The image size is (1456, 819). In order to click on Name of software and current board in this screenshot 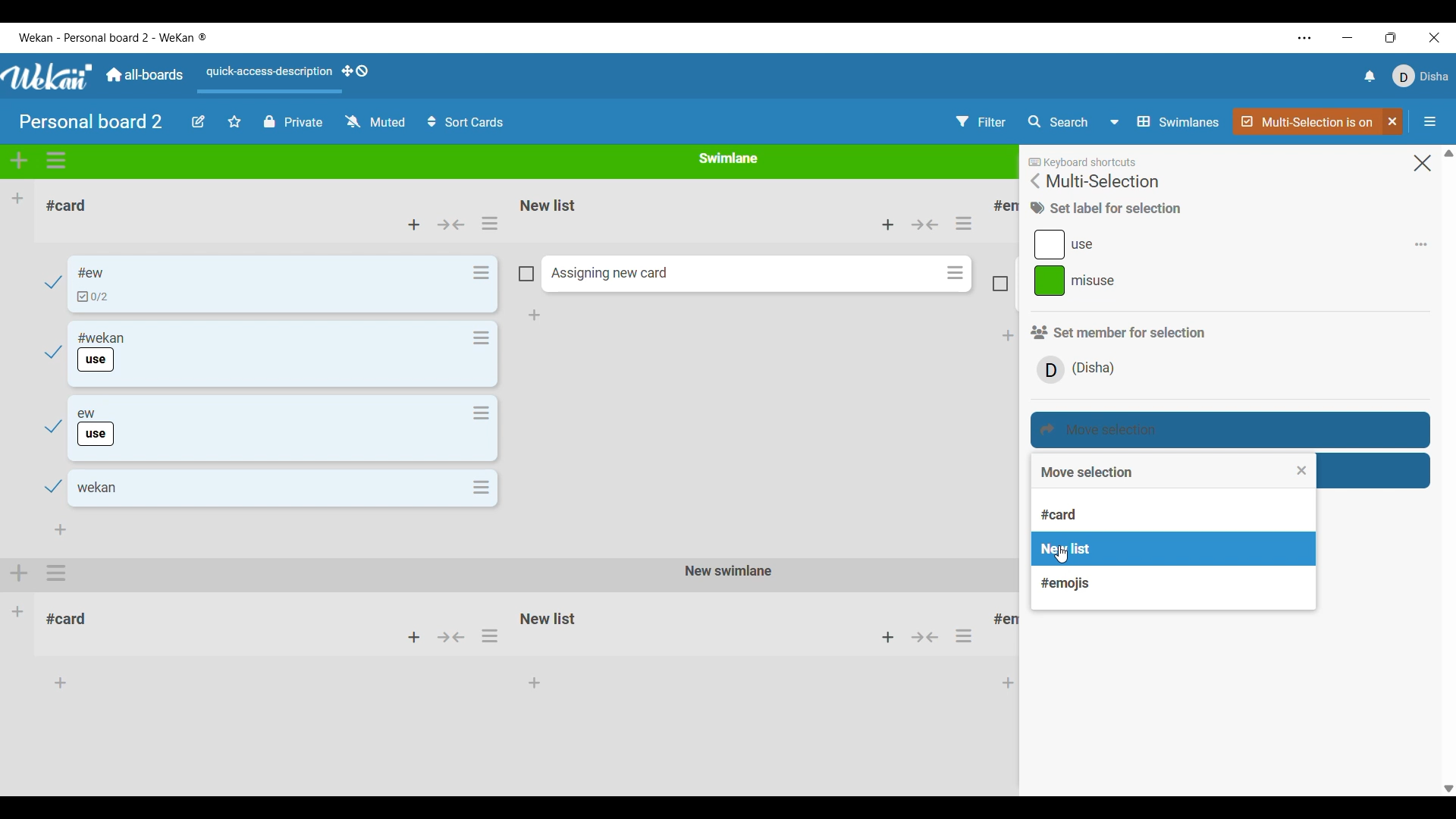, I will do `click(112, 37)`.